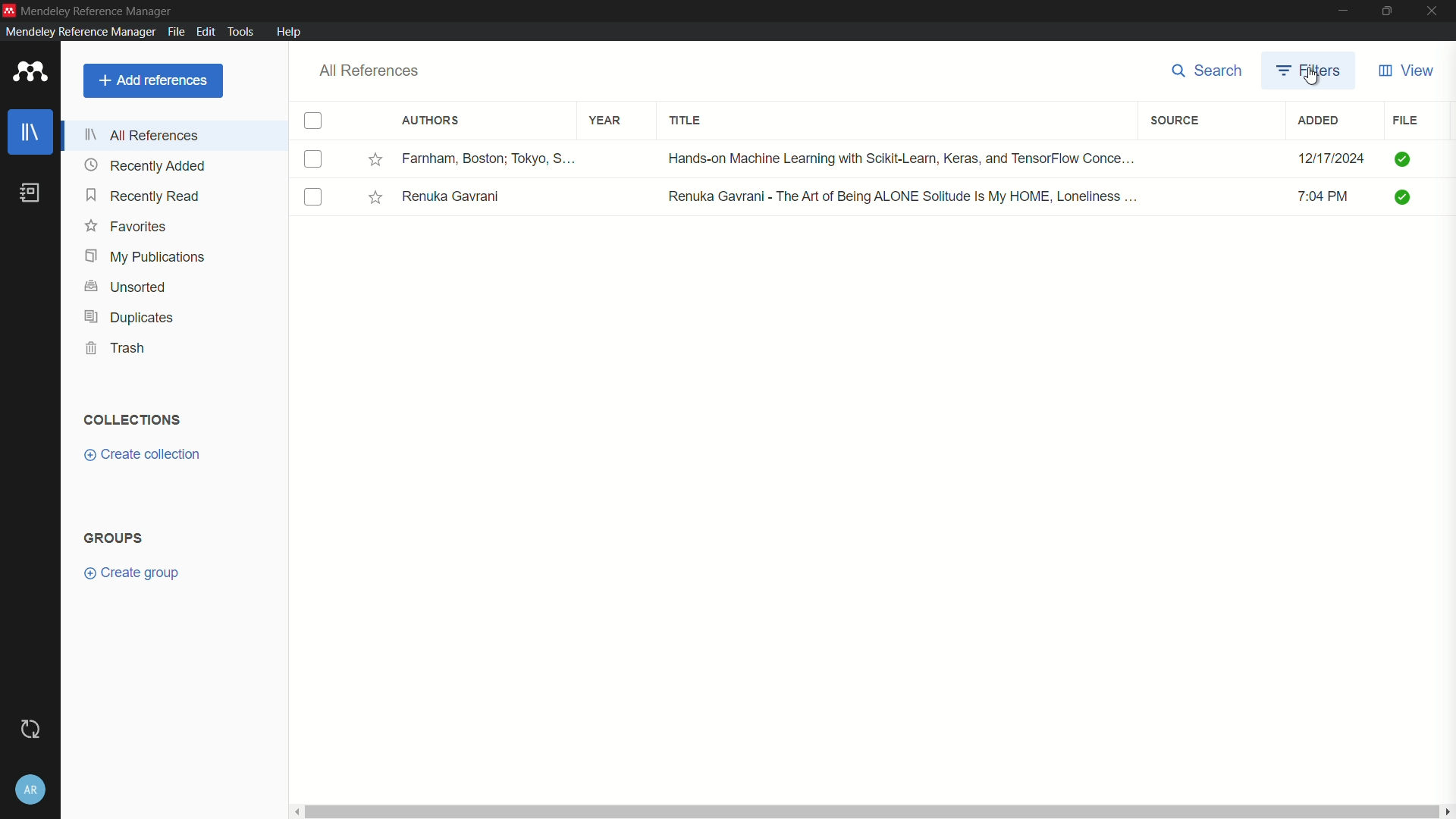 The height and width of the screenshot is (819, 1456). I want to click on recently added, so click(145, 165).